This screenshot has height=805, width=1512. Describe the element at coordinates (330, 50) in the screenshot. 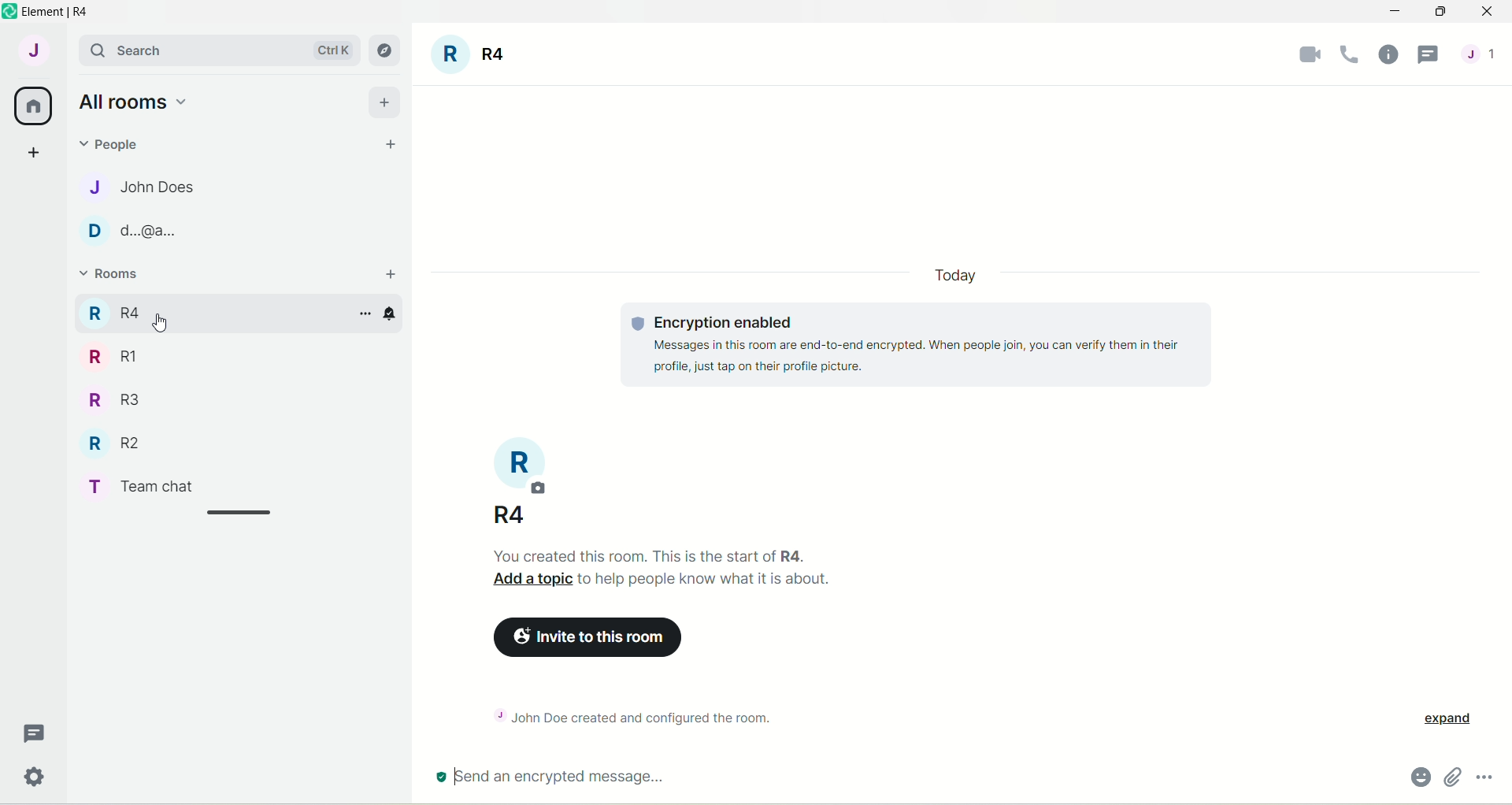

I see `Ctrl K` at that location.